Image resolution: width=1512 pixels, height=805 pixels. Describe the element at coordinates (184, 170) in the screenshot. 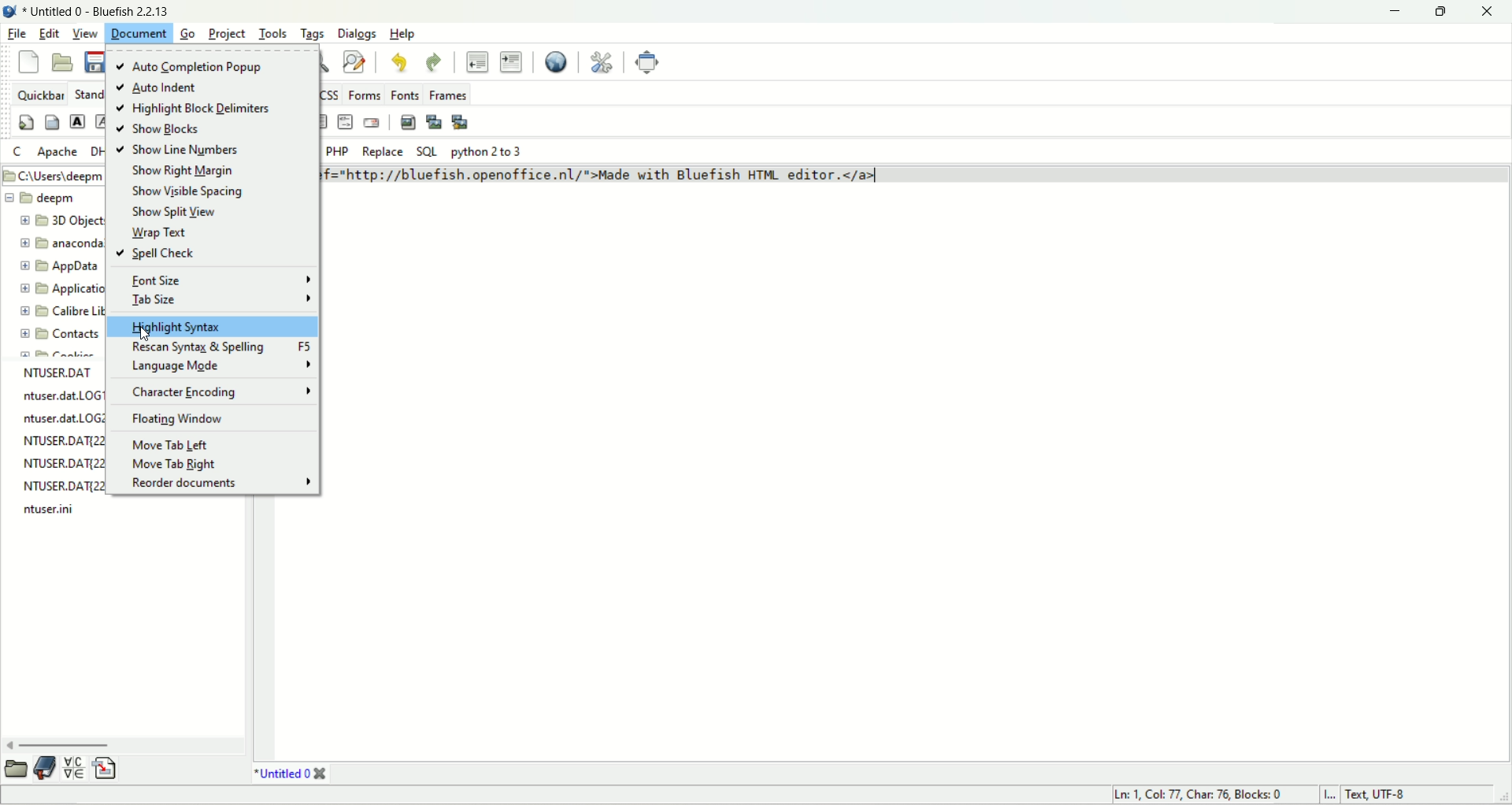

I see `show right margin` at that location.